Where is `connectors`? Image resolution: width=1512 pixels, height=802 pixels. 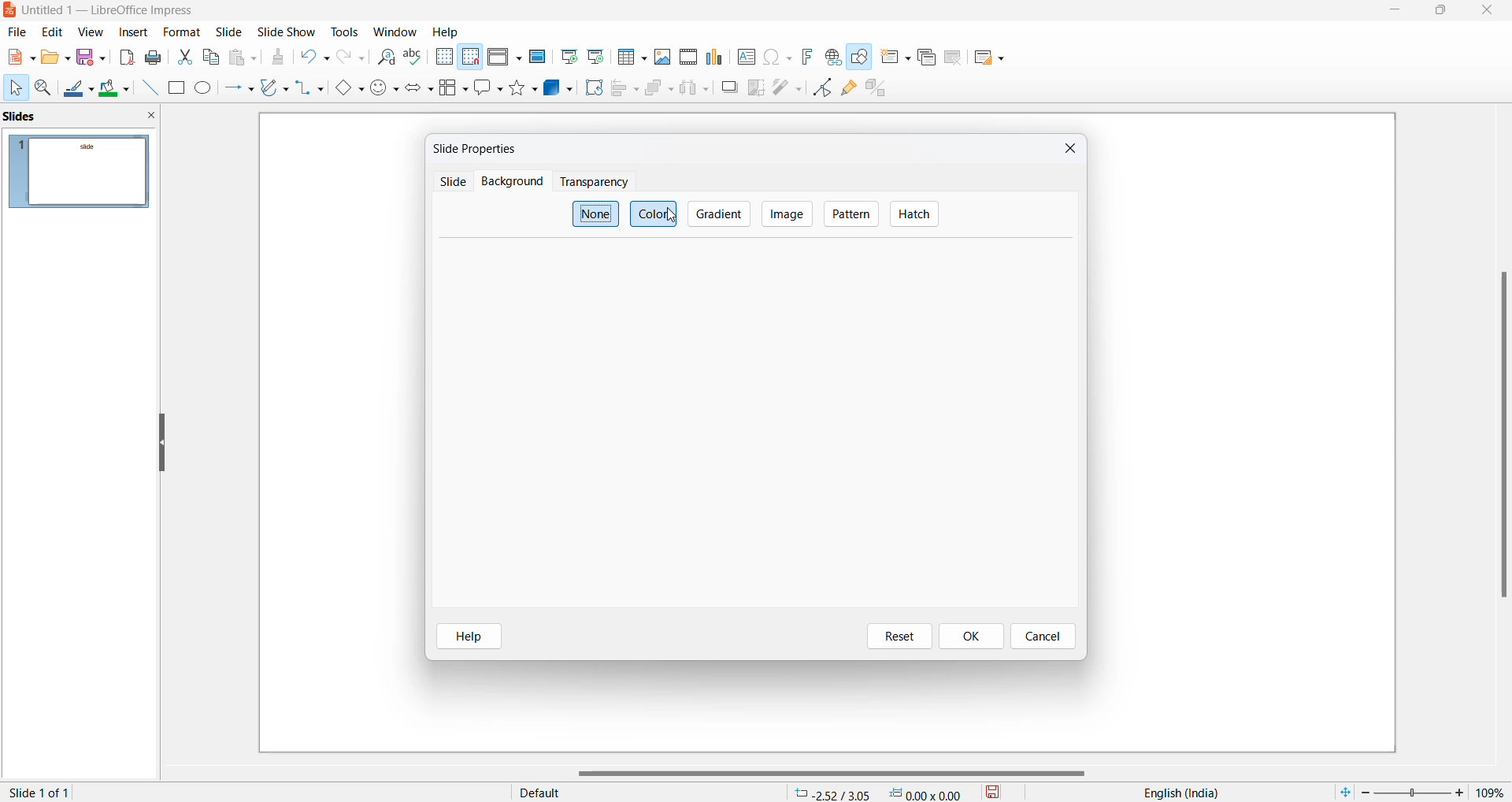 connectors is located at coordinates (310, 89).